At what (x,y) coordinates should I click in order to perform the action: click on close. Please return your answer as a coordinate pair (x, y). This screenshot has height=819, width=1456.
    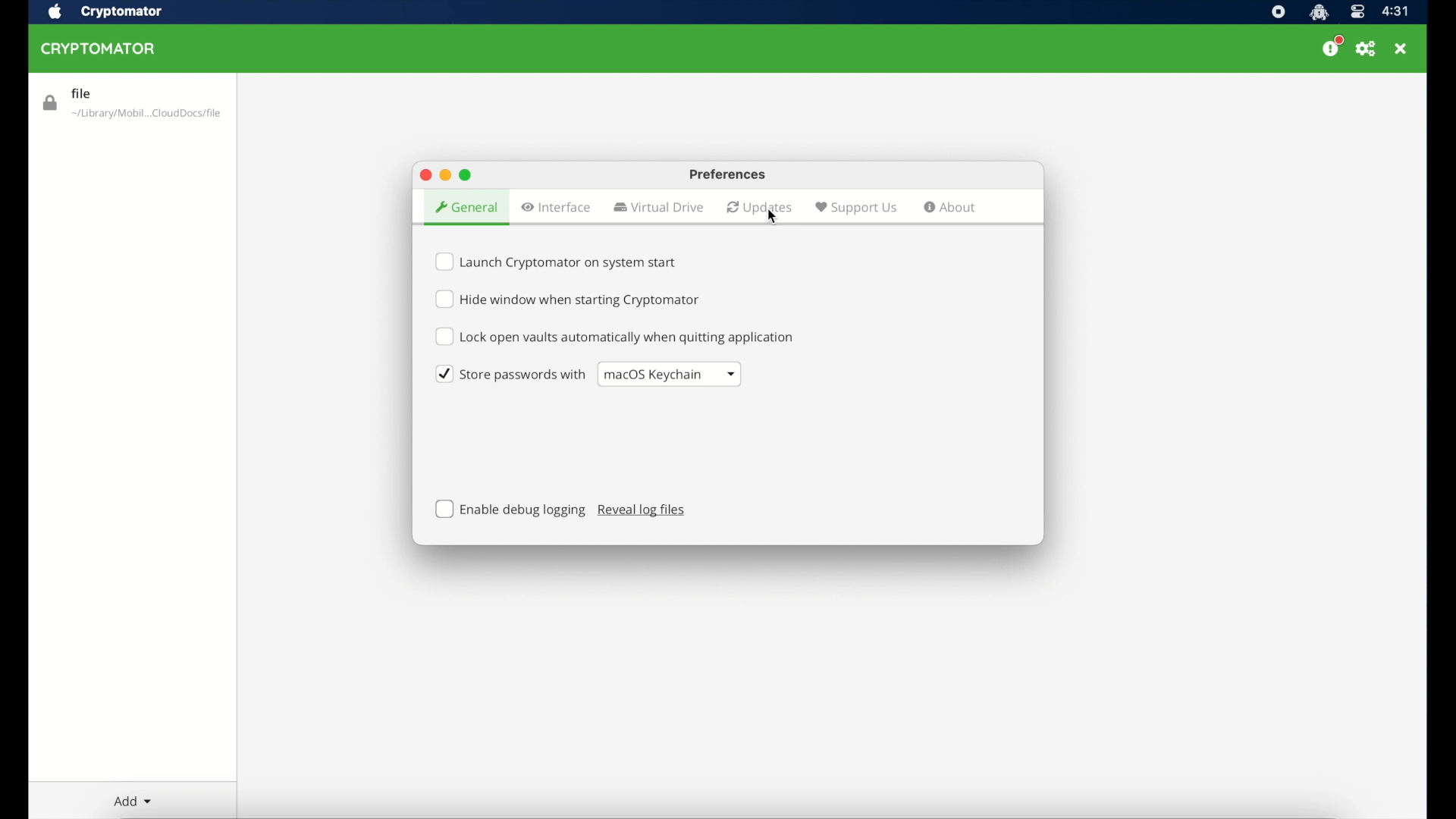
    Looking at the image, I should click on (424, 174).